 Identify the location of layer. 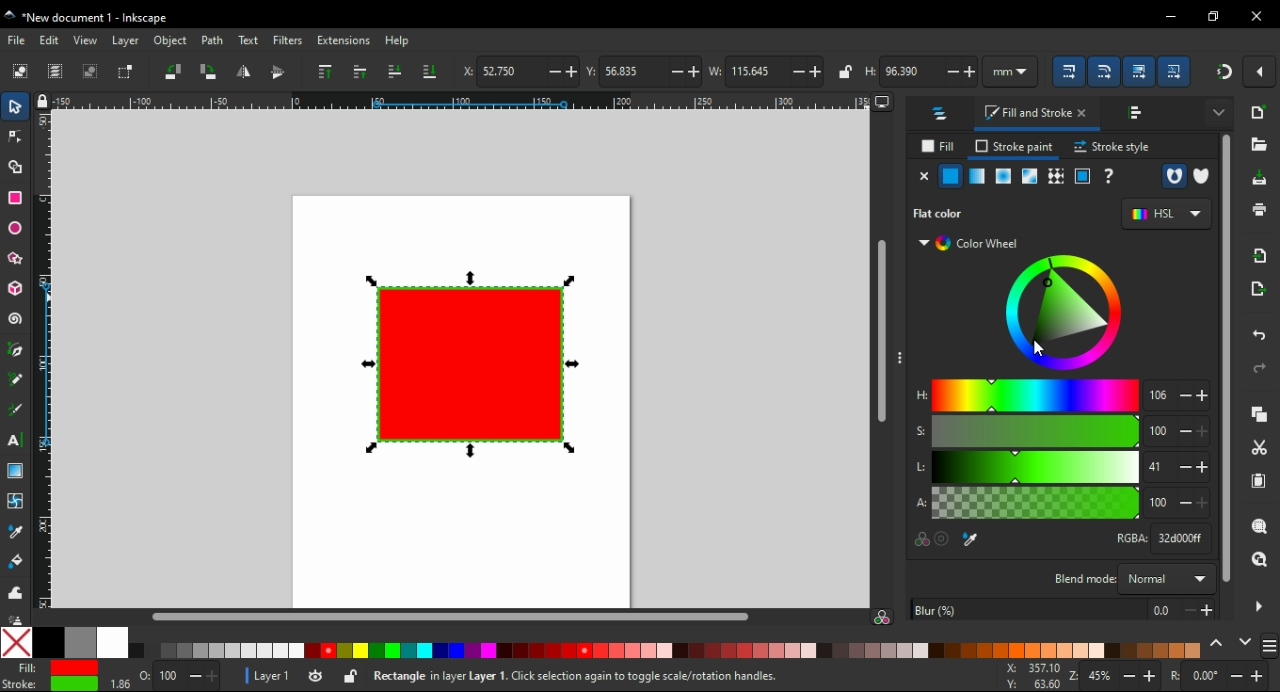
(126, 40).